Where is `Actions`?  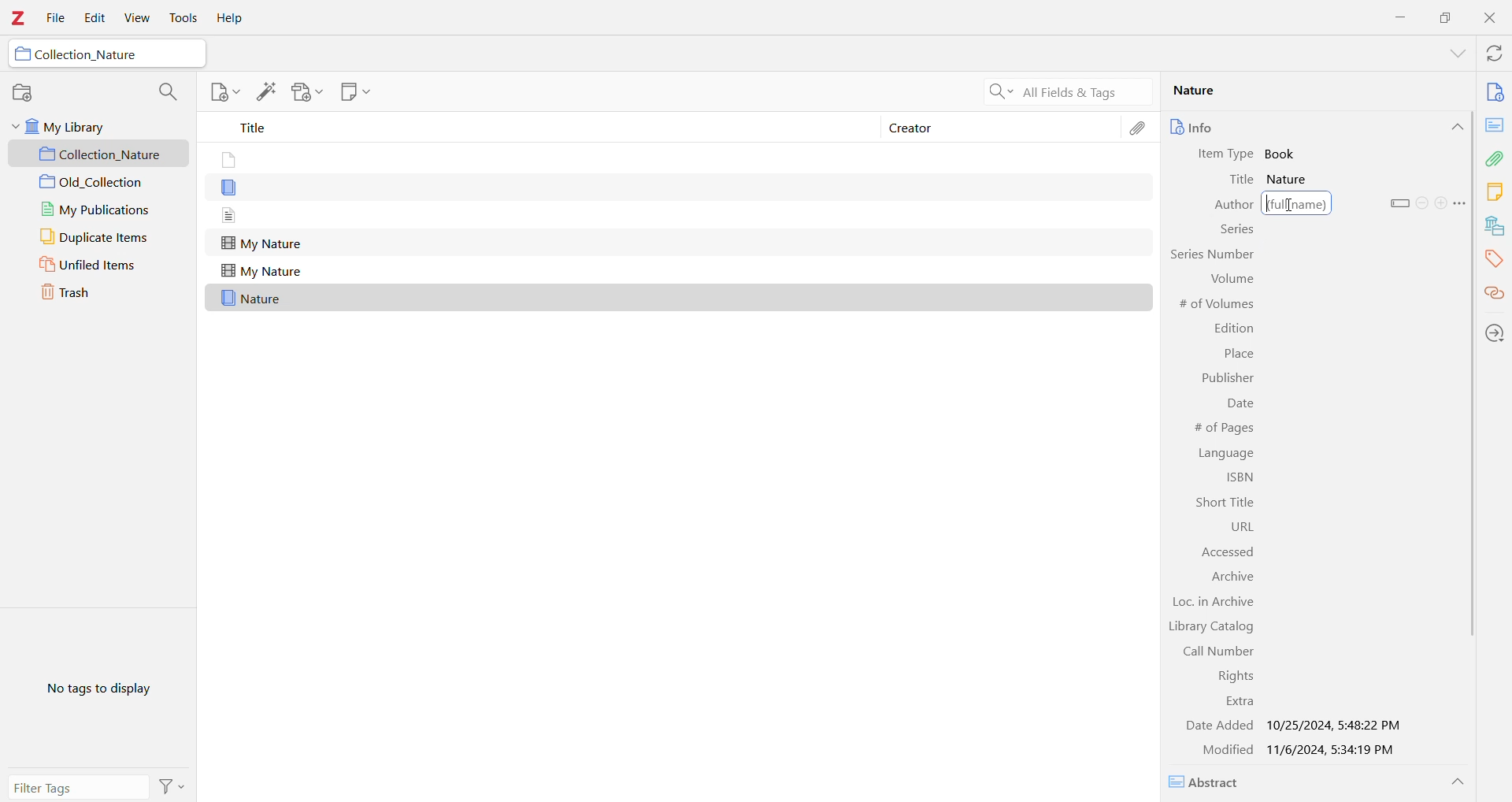
Actions is located at coordinates (172, 786).